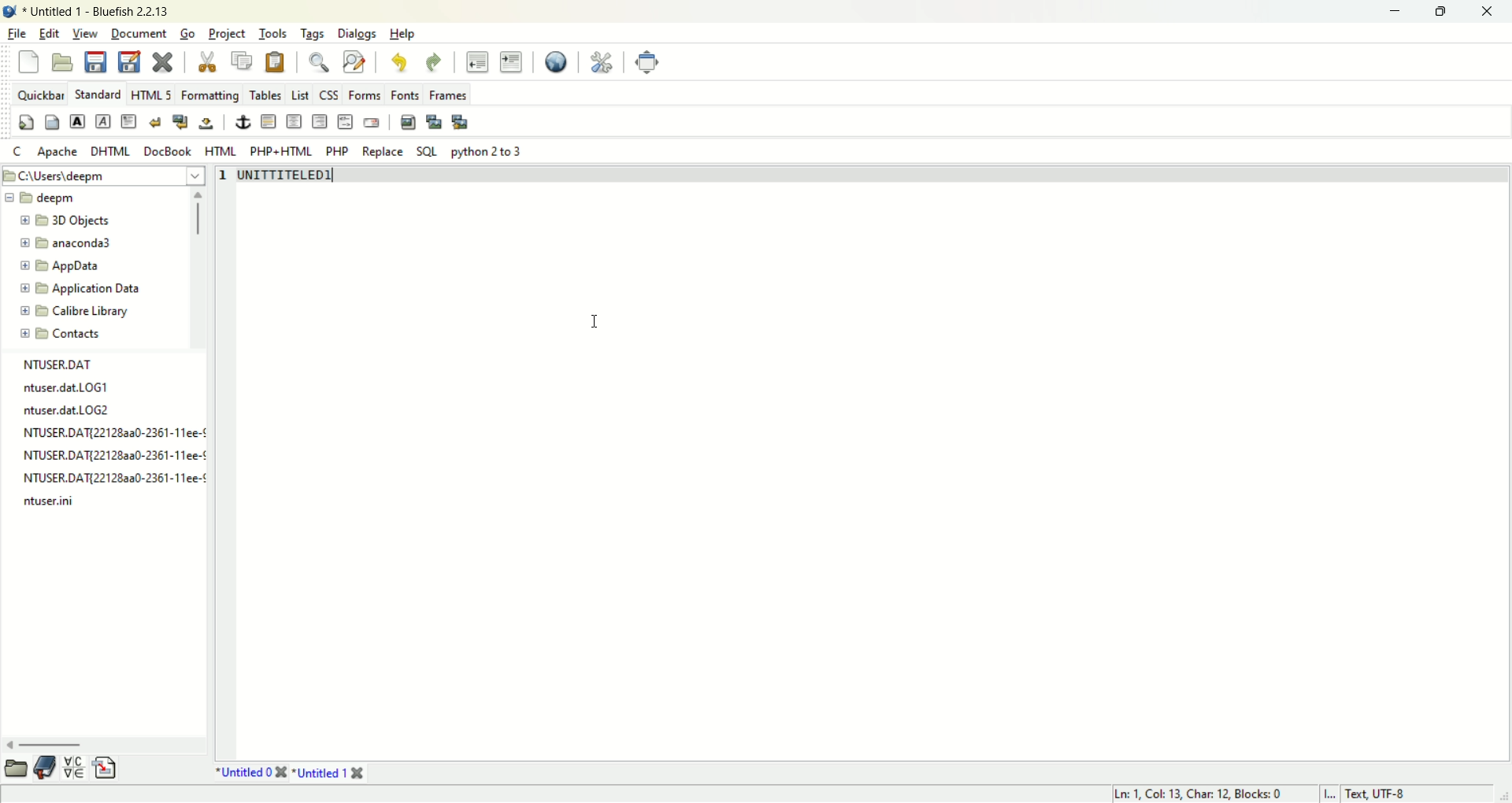  What do you see at coordinates (75, 121) in the screenshot?
I see `strong` at bounding box center [75, 121].